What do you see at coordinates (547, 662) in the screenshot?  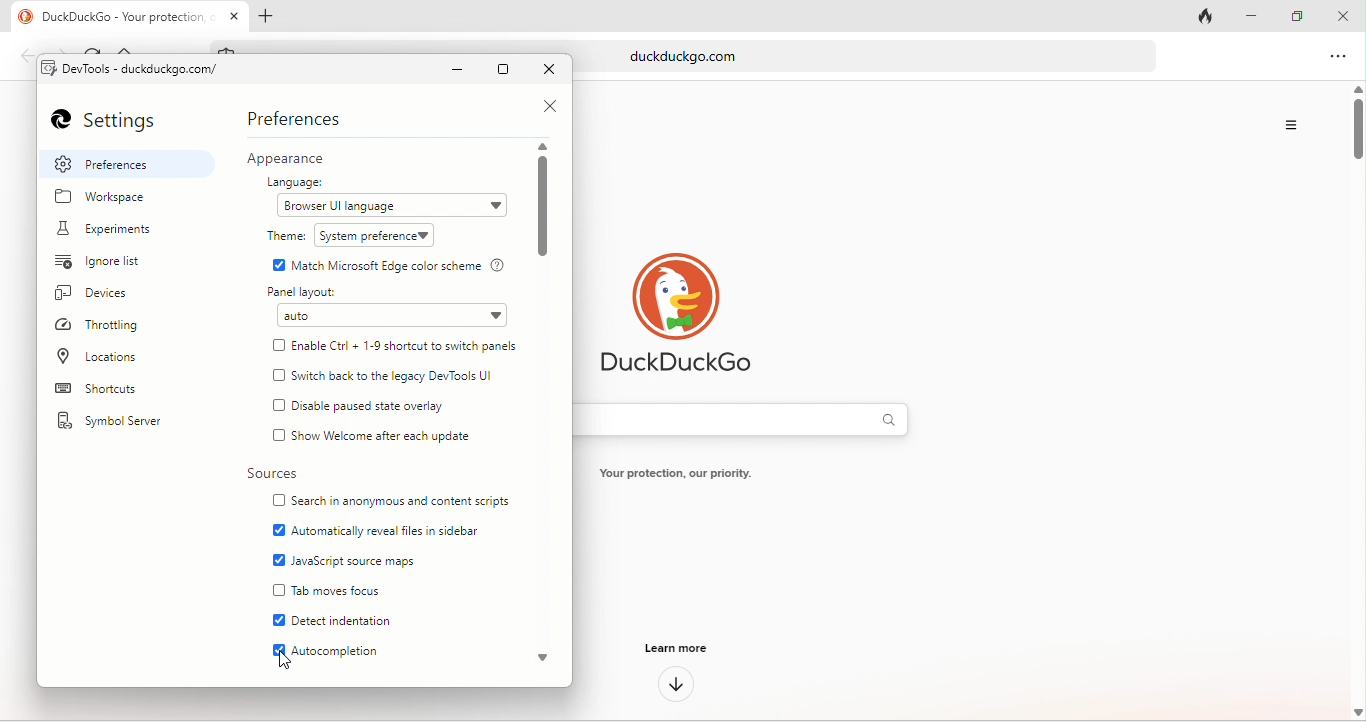 I see `scroll down` at bounding box center [547, 662].